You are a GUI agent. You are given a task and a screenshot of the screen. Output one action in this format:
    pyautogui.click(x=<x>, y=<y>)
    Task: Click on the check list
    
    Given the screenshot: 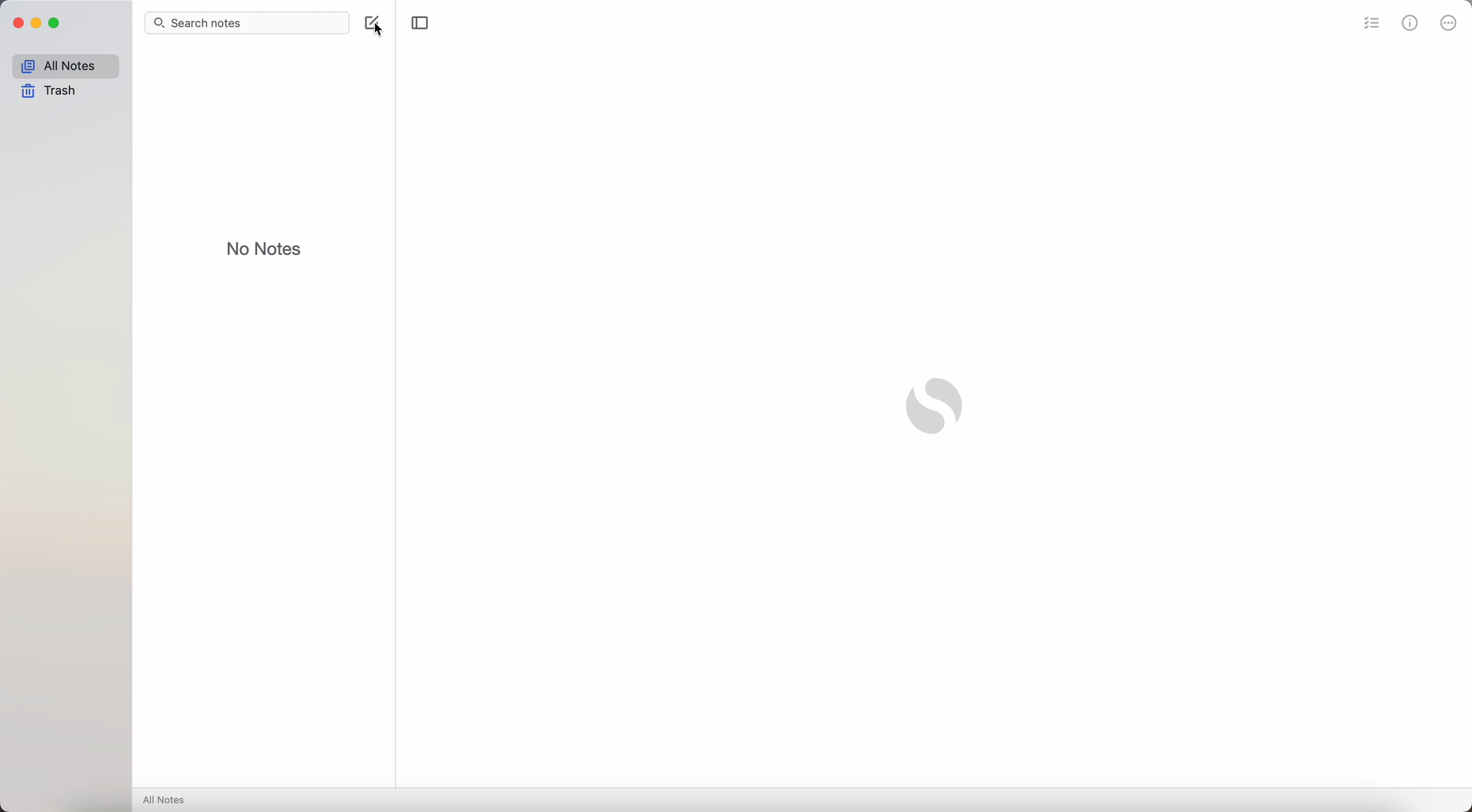 What is the action you would take?
    pyautogui.click(x=1369, y=22)
    